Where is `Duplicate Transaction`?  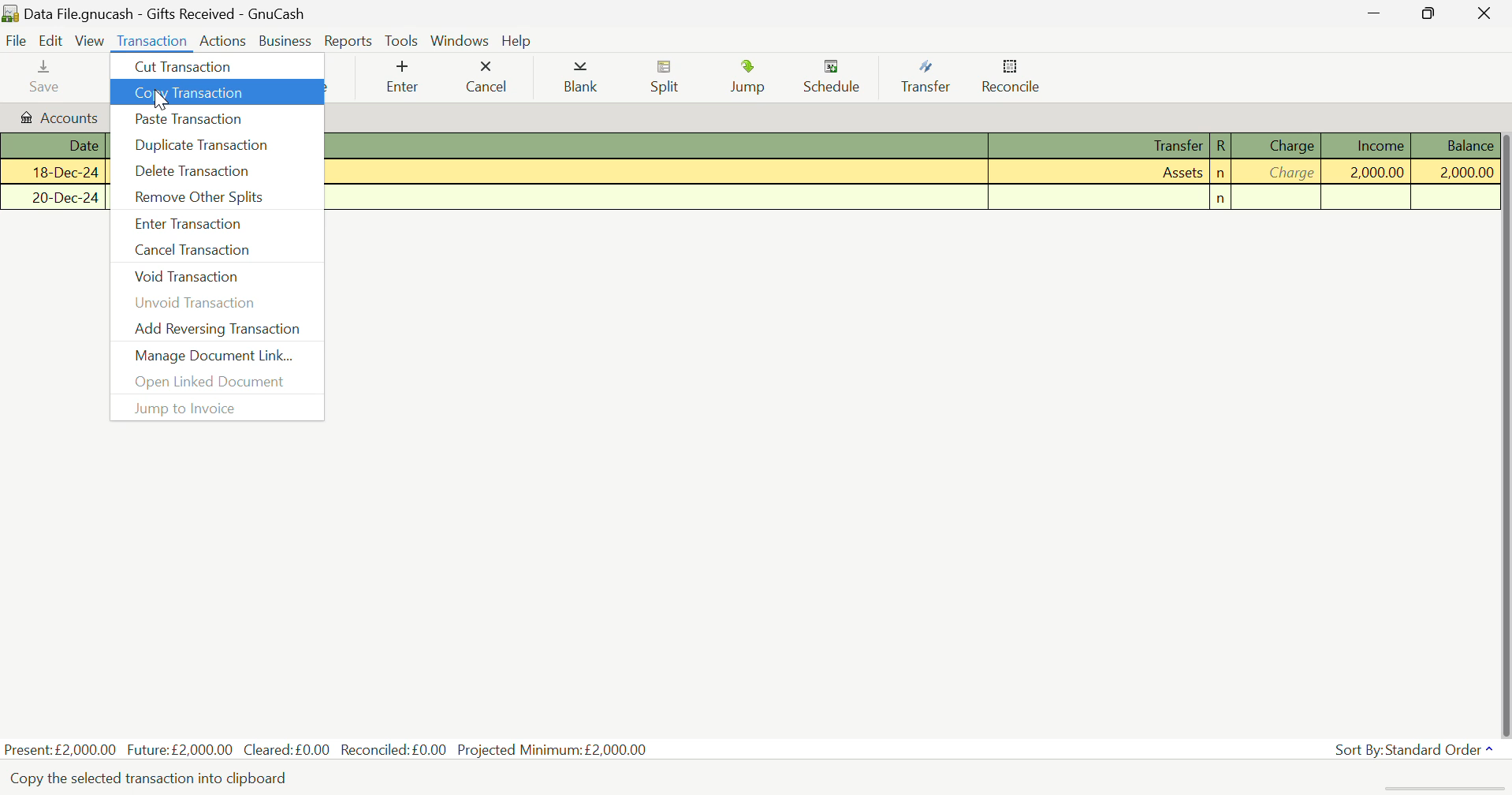
Duplicate Transaction is located at coordinates (217, 147).